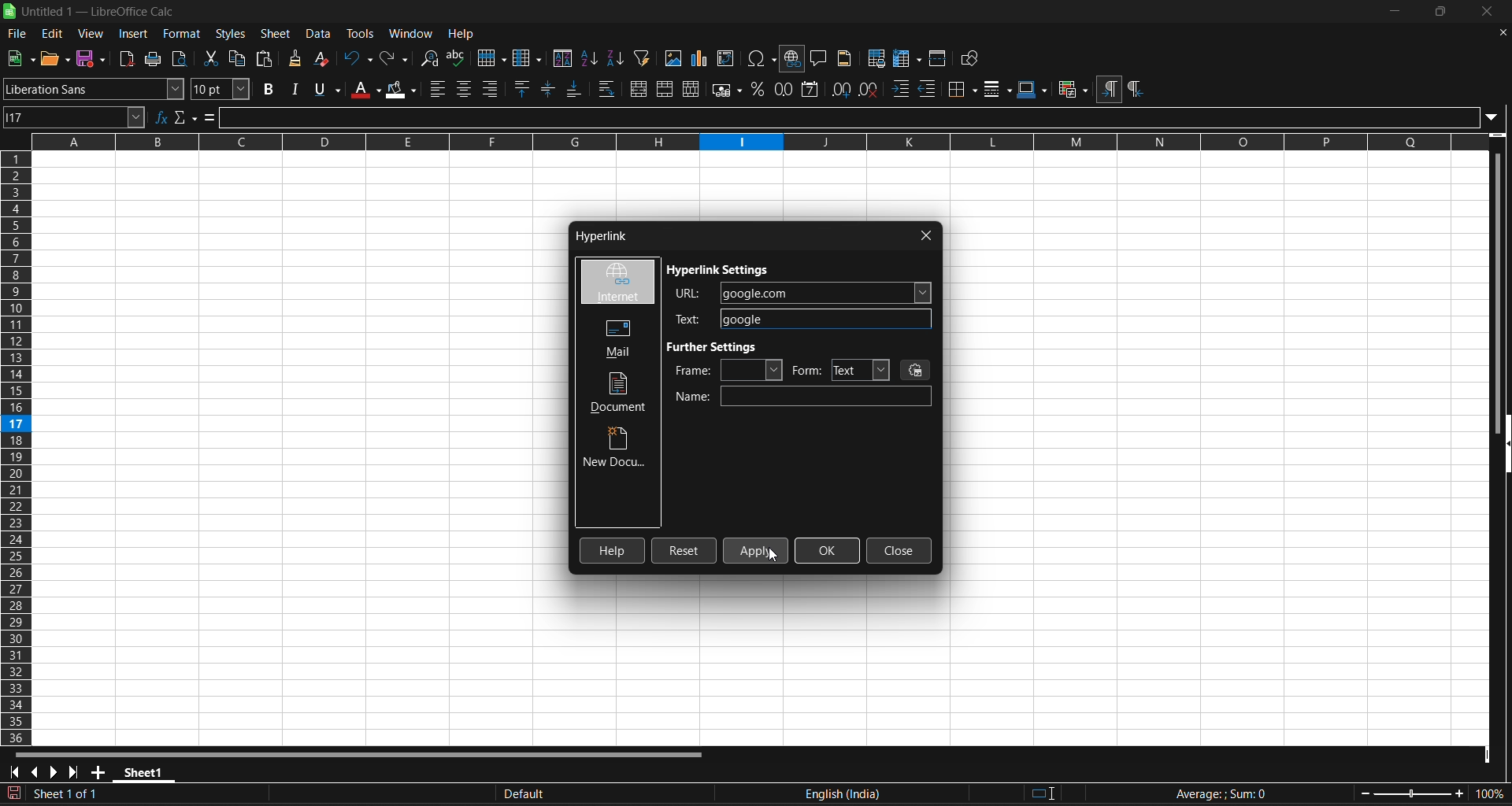  I want to click on name, so click(803, 397).